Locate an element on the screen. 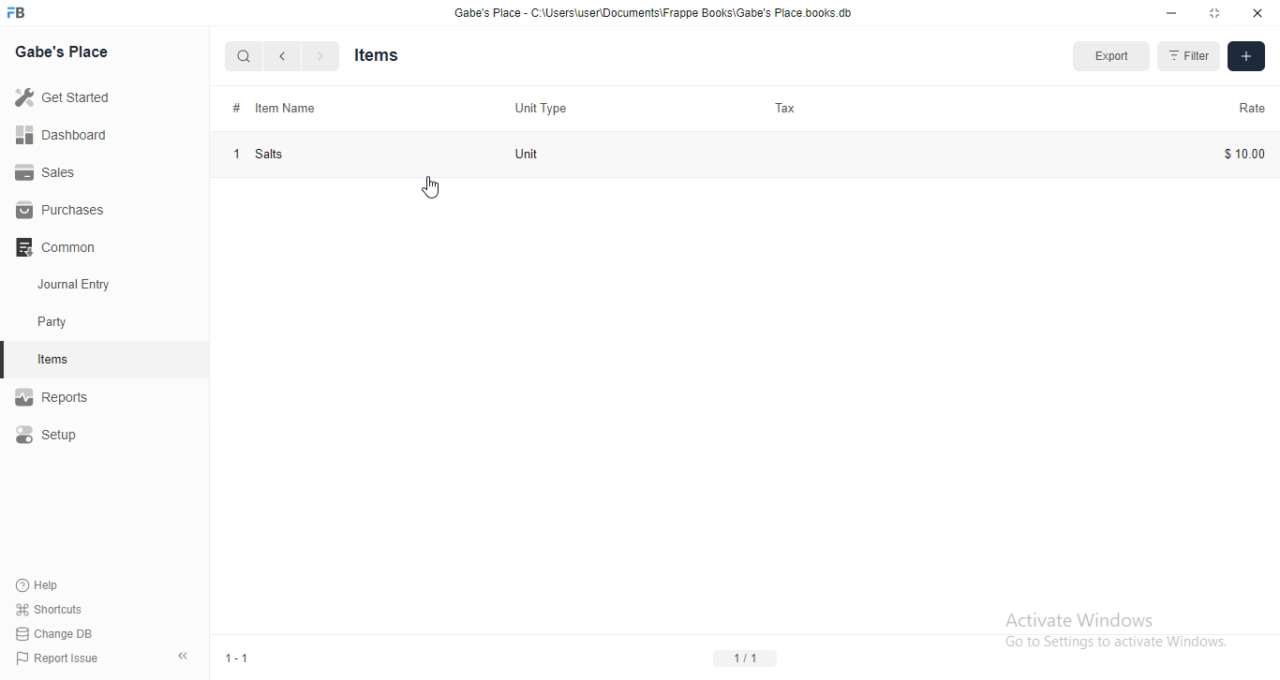 This screenshot has height=680, width=1280. previous is located at coordinates (280, 56).